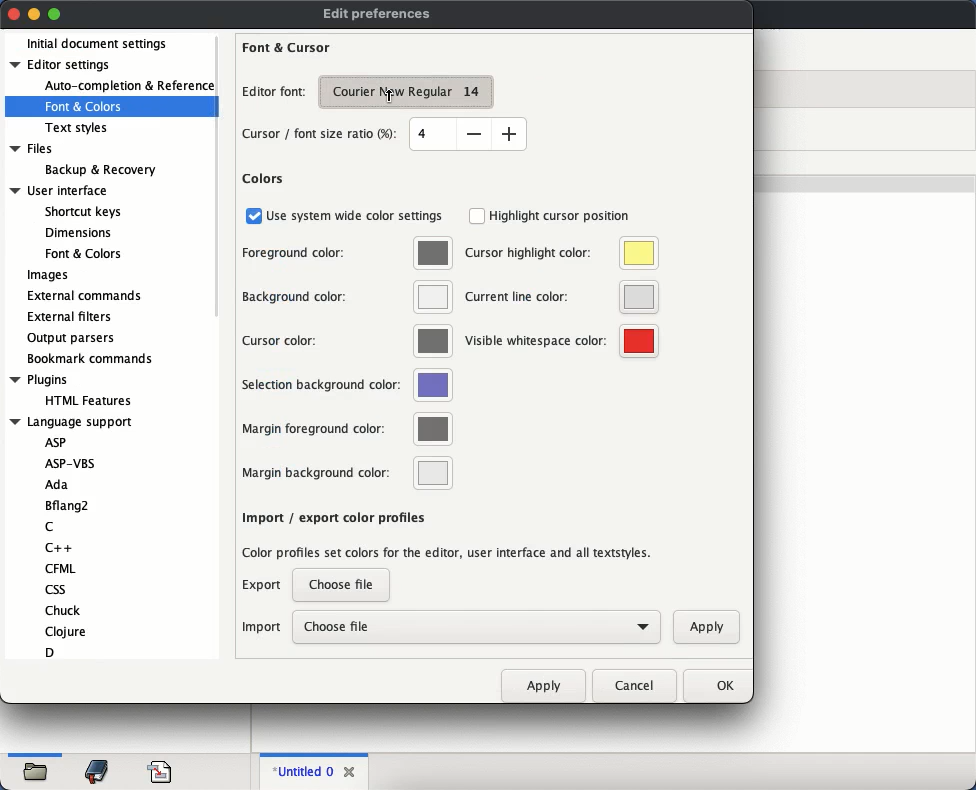  I want to click on output parsers, so click(73, 338).